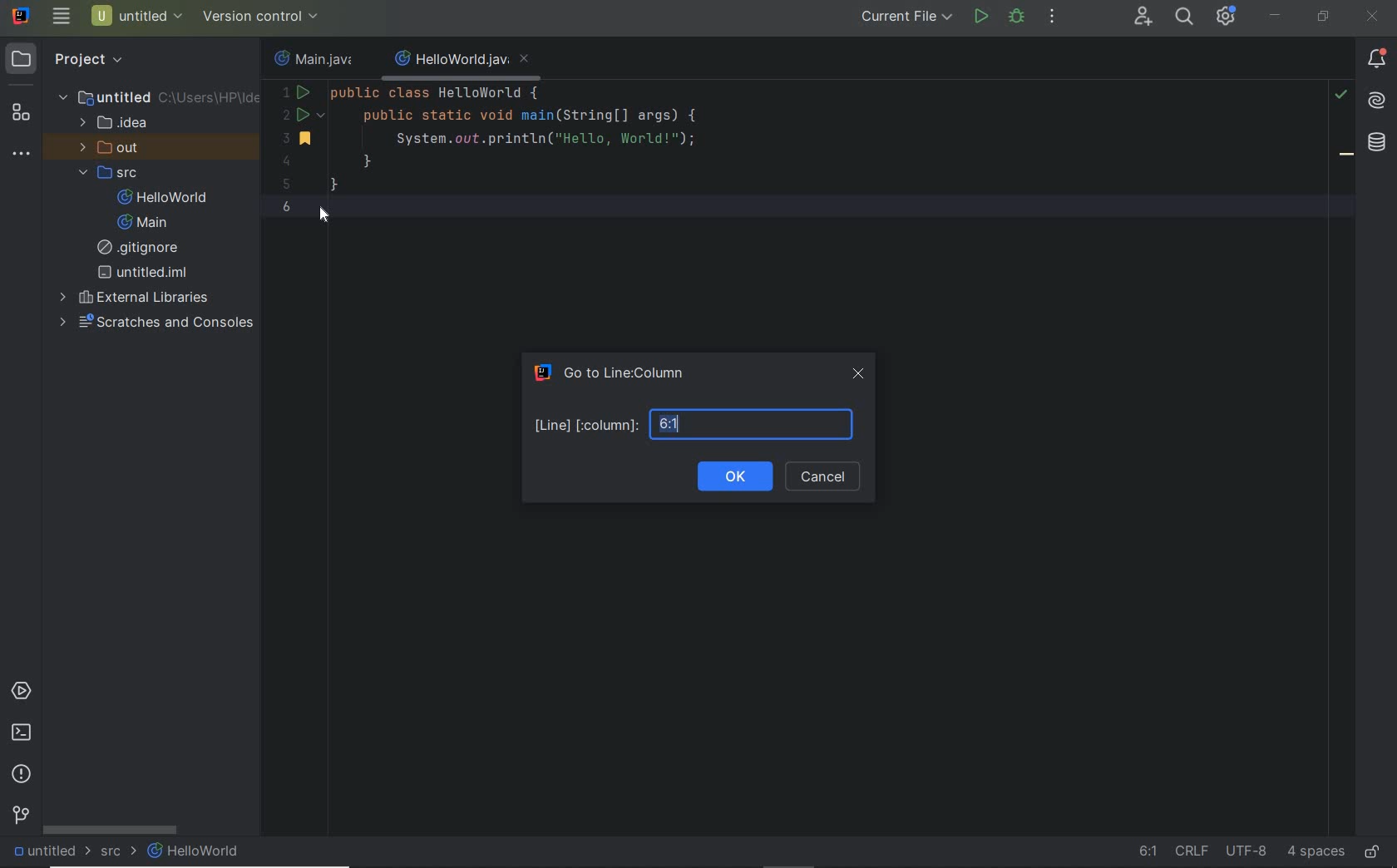 The width and height of the screenshot is (1397, 868). What do you see at coordinates (1246, 853) in the screenshot?
I see `fine encoding` at bounding box center [1246, 853].